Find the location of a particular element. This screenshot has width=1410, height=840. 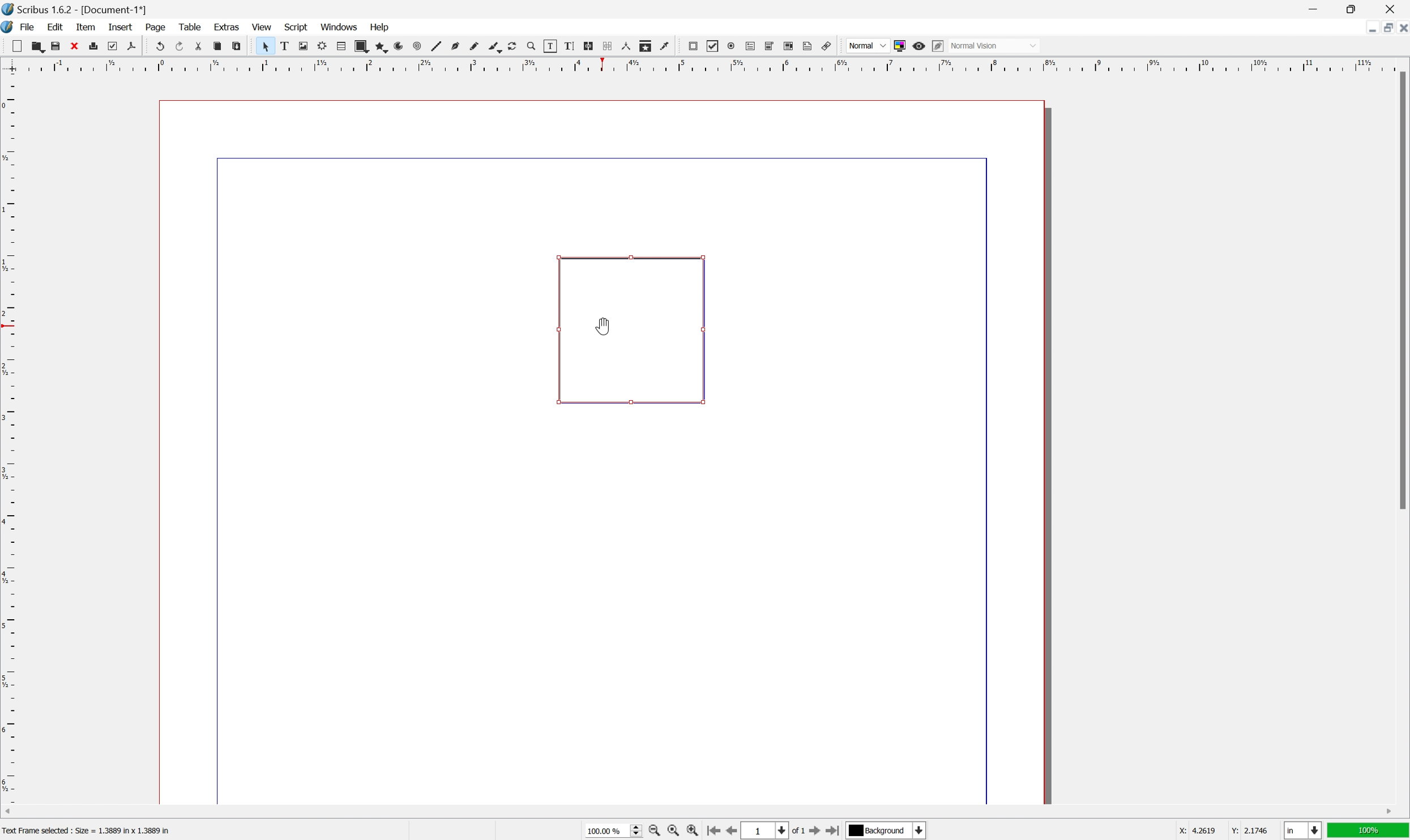

insert is located at coordinates (121, 27).